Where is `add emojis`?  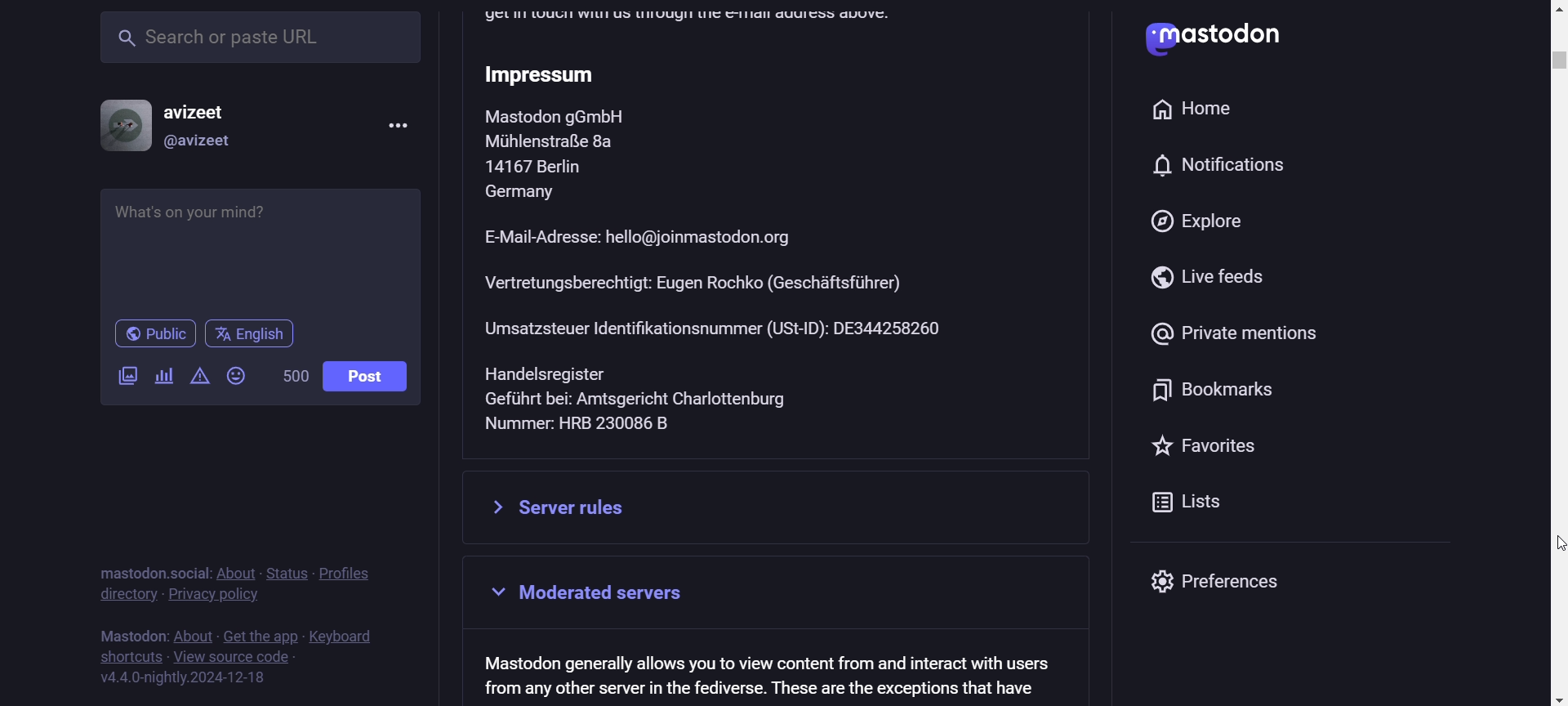 add emojis is located at coordinates (240, 375).